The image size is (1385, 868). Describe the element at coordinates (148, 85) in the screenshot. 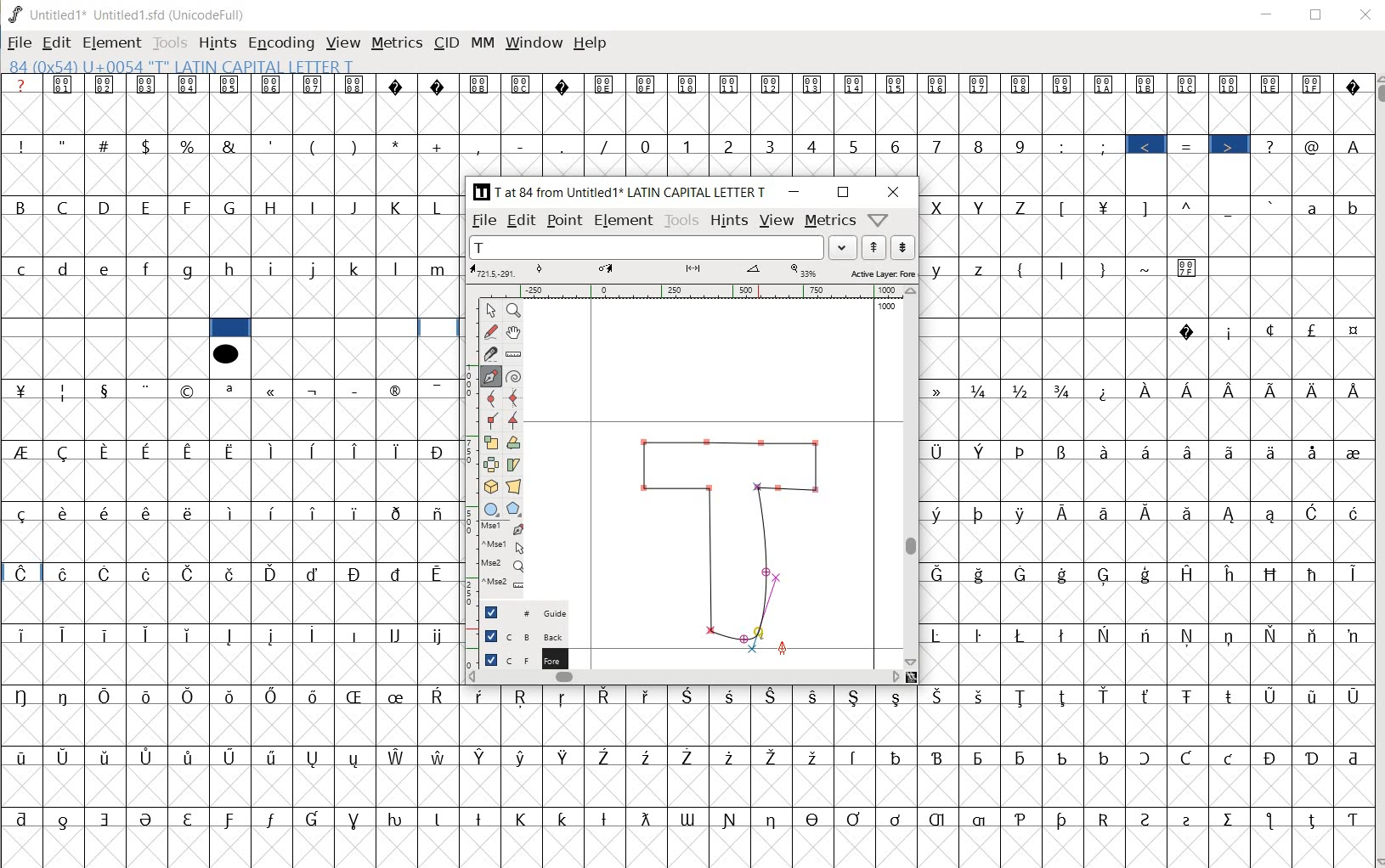

I see `Symbol` at that location.